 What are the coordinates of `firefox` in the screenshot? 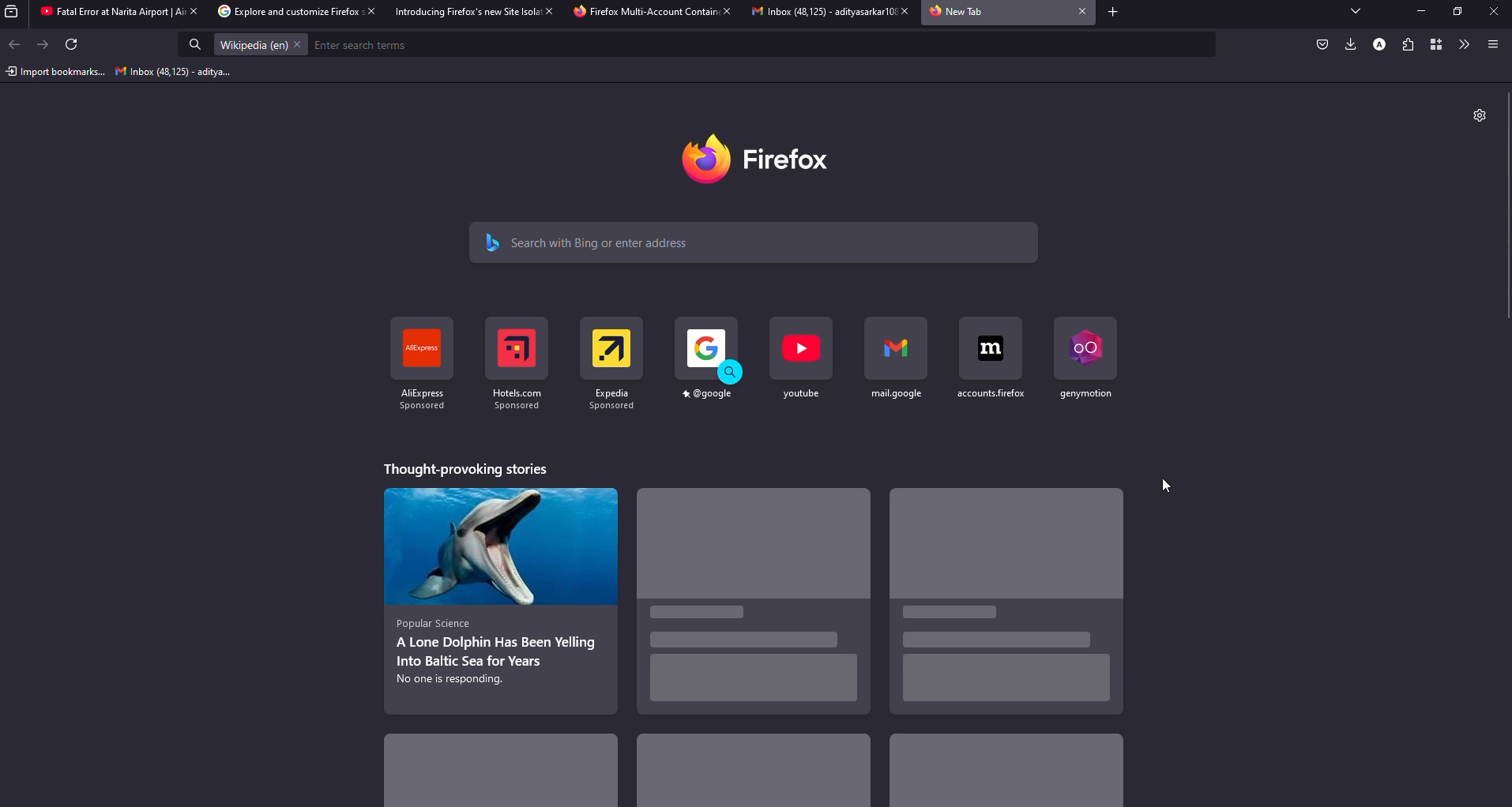 It's located at (768, 159).